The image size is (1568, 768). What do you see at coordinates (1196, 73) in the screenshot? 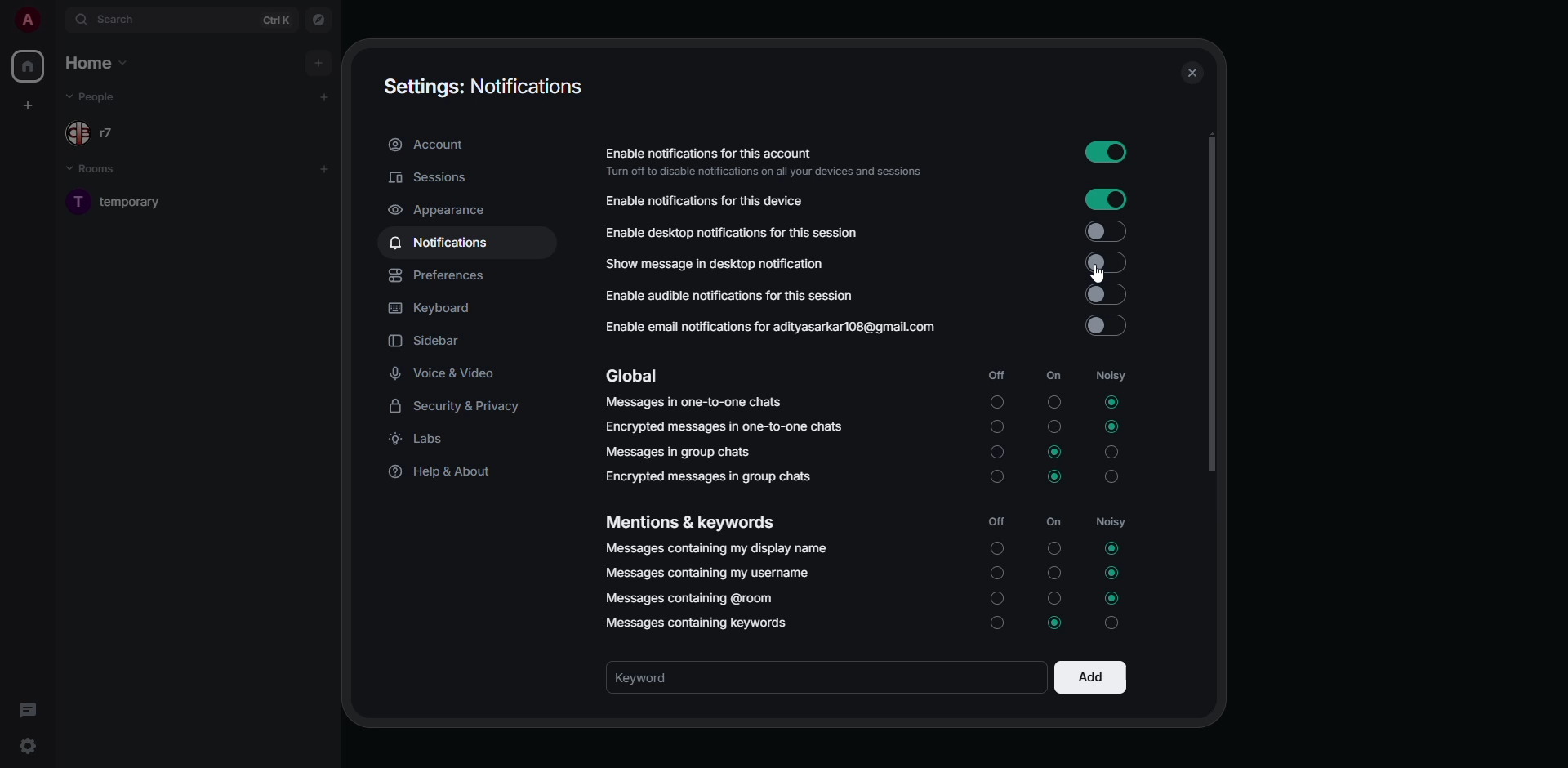
I see `close` at bounding box center [1196, 73].